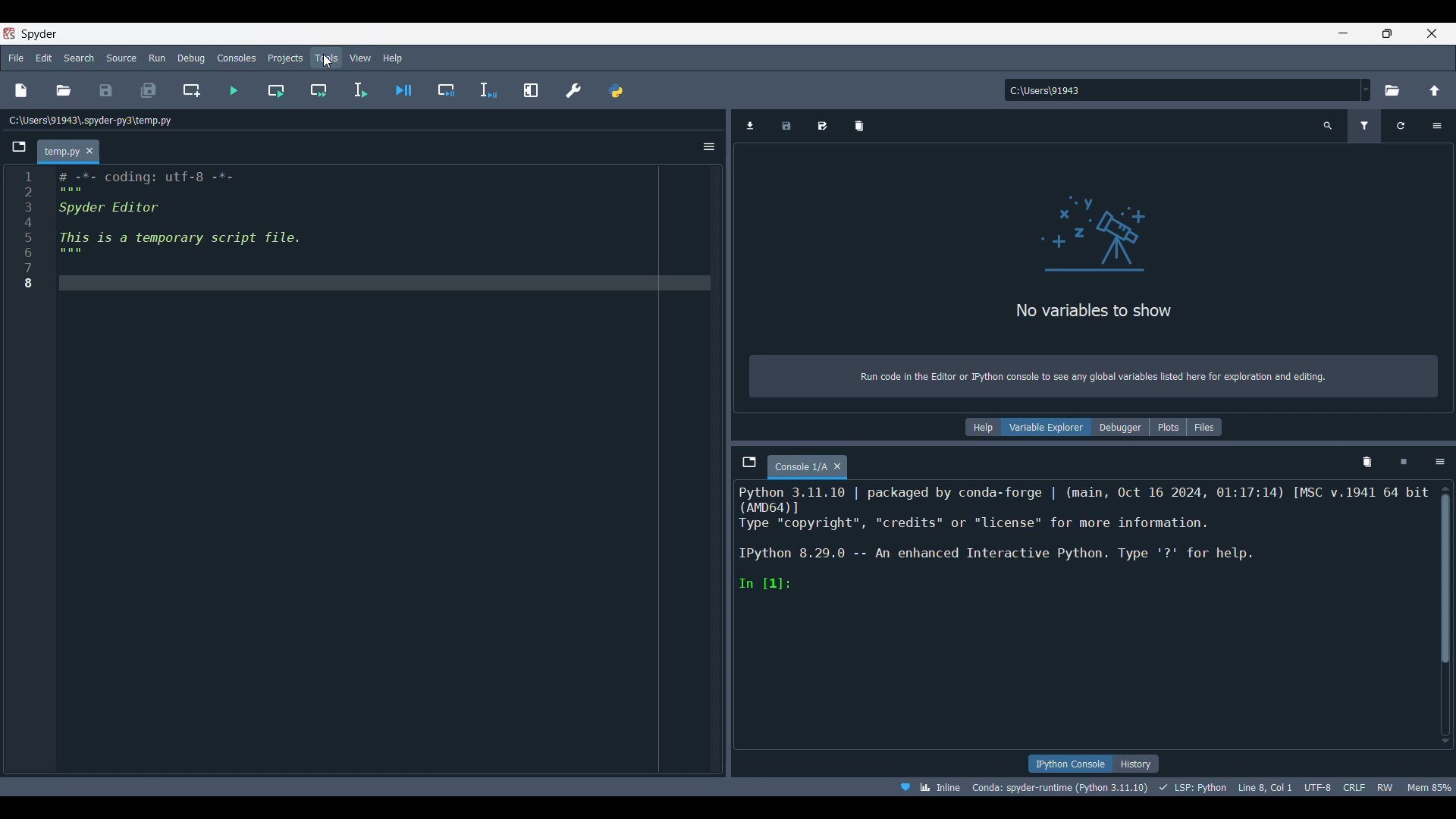 This screenshot has width=1456, height=819. I want to click on Close tab, so click(838, 466).